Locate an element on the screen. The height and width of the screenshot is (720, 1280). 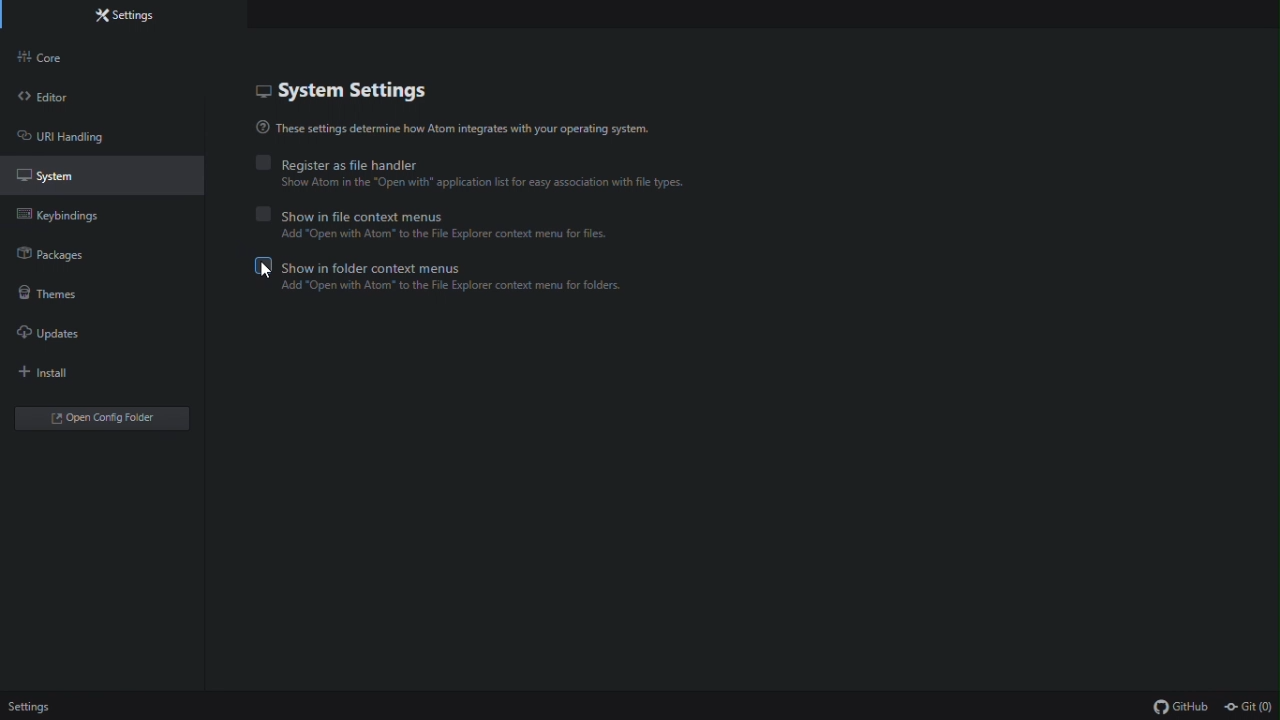
open config folder is located at coordinates (99, 415).